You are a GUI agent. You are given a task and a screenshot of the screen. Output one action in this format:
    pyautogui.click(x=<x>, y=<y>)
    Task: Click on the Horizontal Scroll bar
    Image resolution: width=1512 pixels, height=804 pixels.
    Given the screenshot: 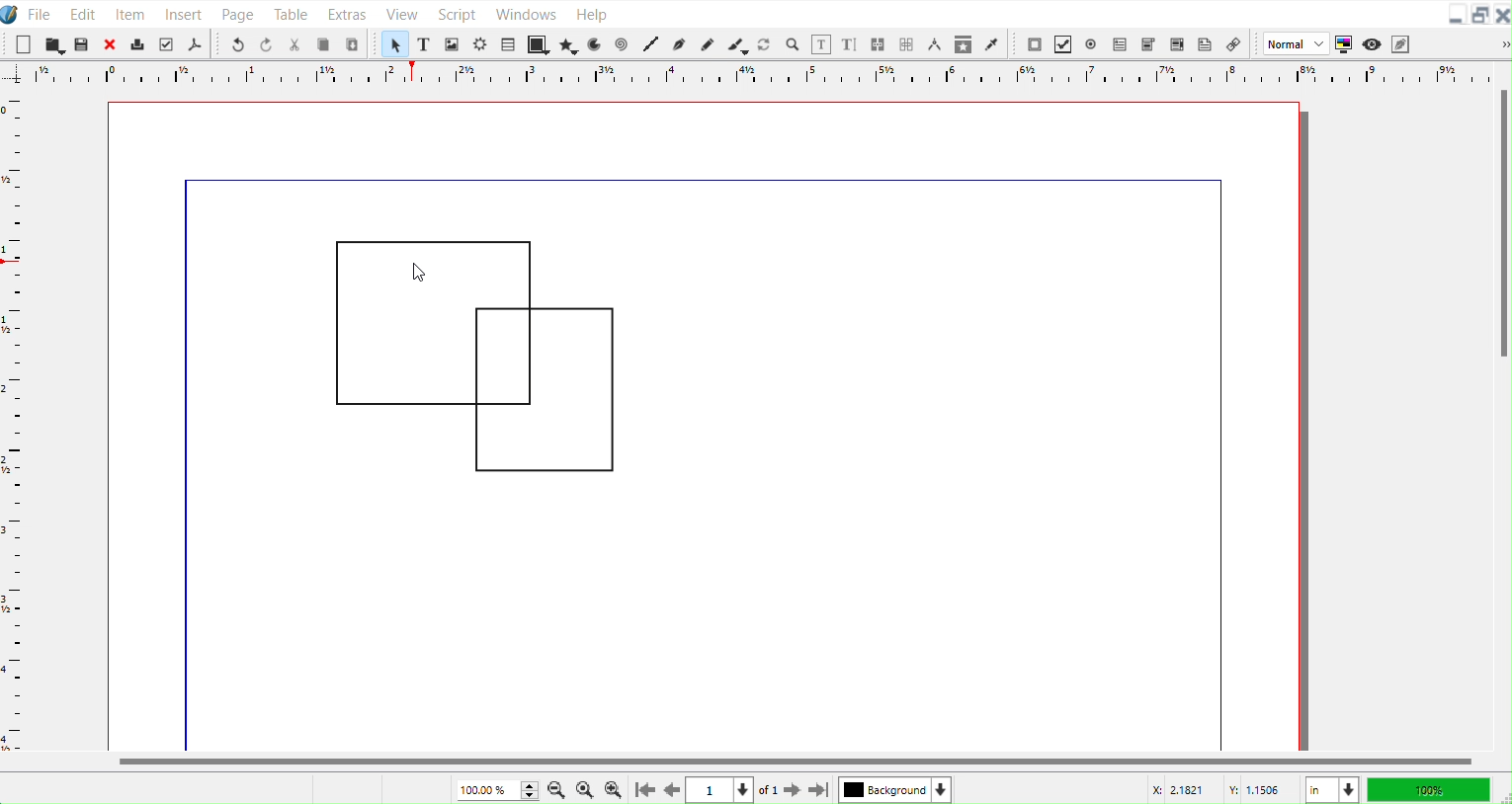 What is the action you would take?
    pyautogui.click(x=755, y=762)
    